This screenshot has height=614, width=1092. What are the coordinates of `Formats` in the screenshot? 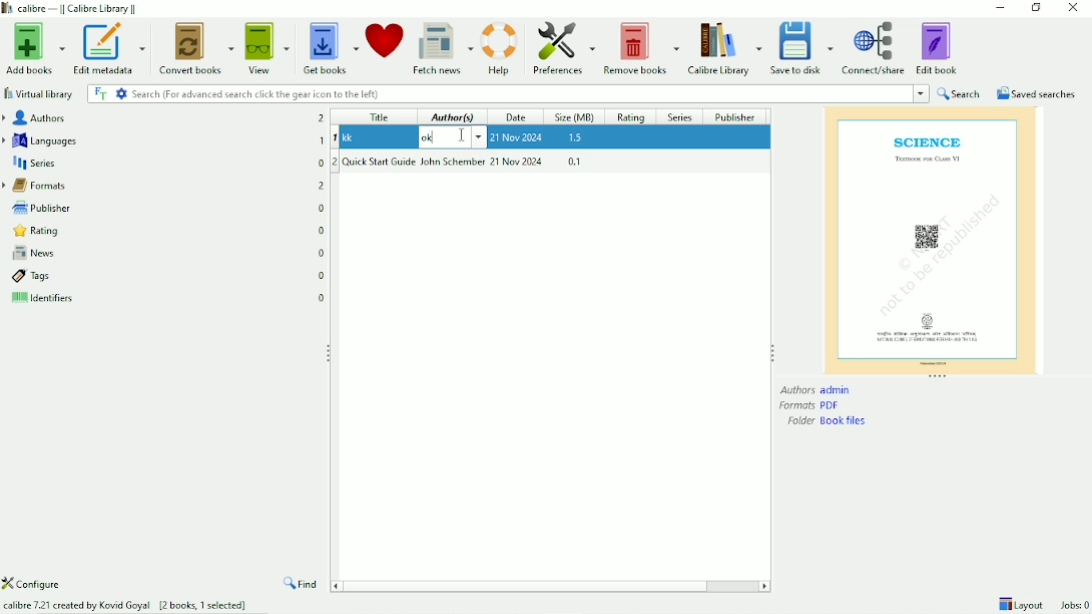 It's located at (810, 406).